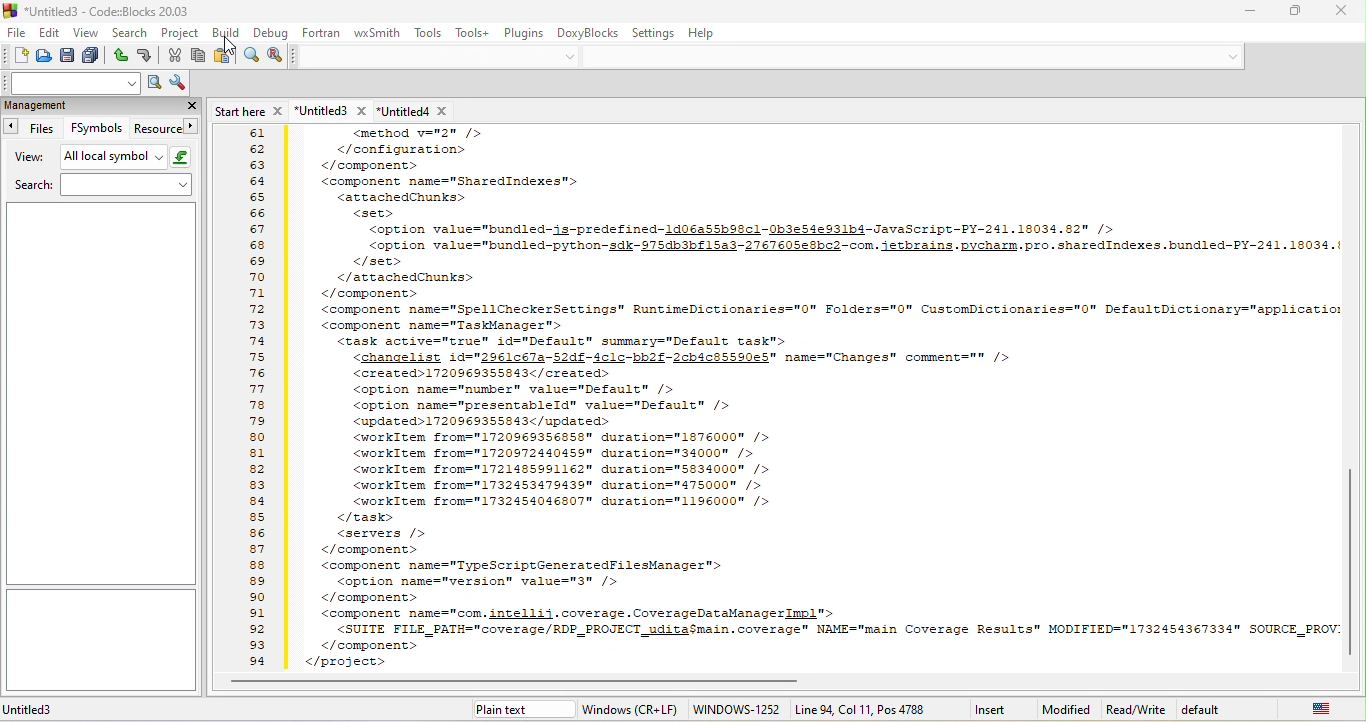 This screenshot has width=1366, height=722. What do you see at coordinates (475, 32) in the screenshot?
I see `tools++` at bounding box center [475, 32].